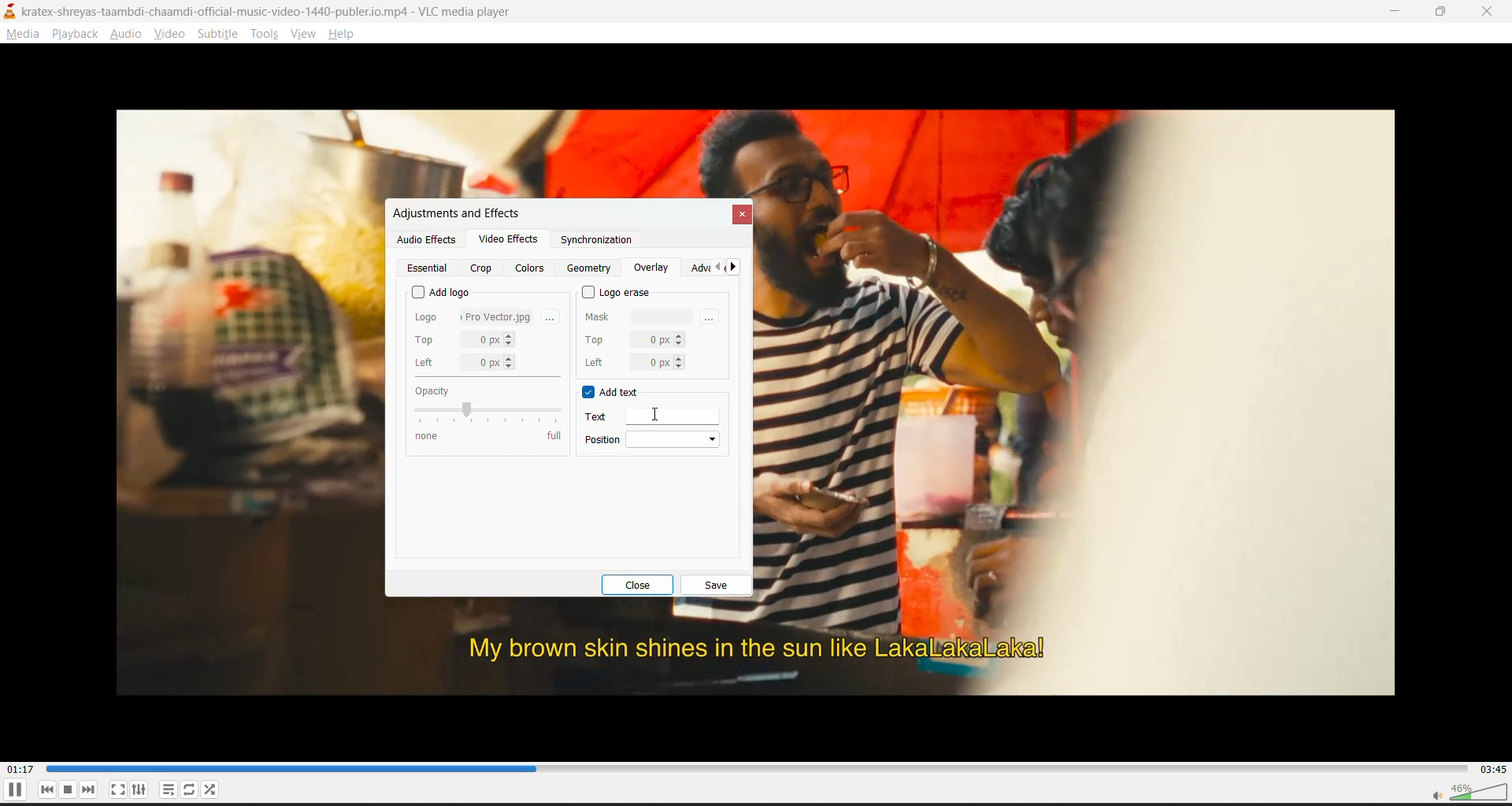  Describe the element at coordinates (130, 35) in the screenshot. I see `audio` at that location.